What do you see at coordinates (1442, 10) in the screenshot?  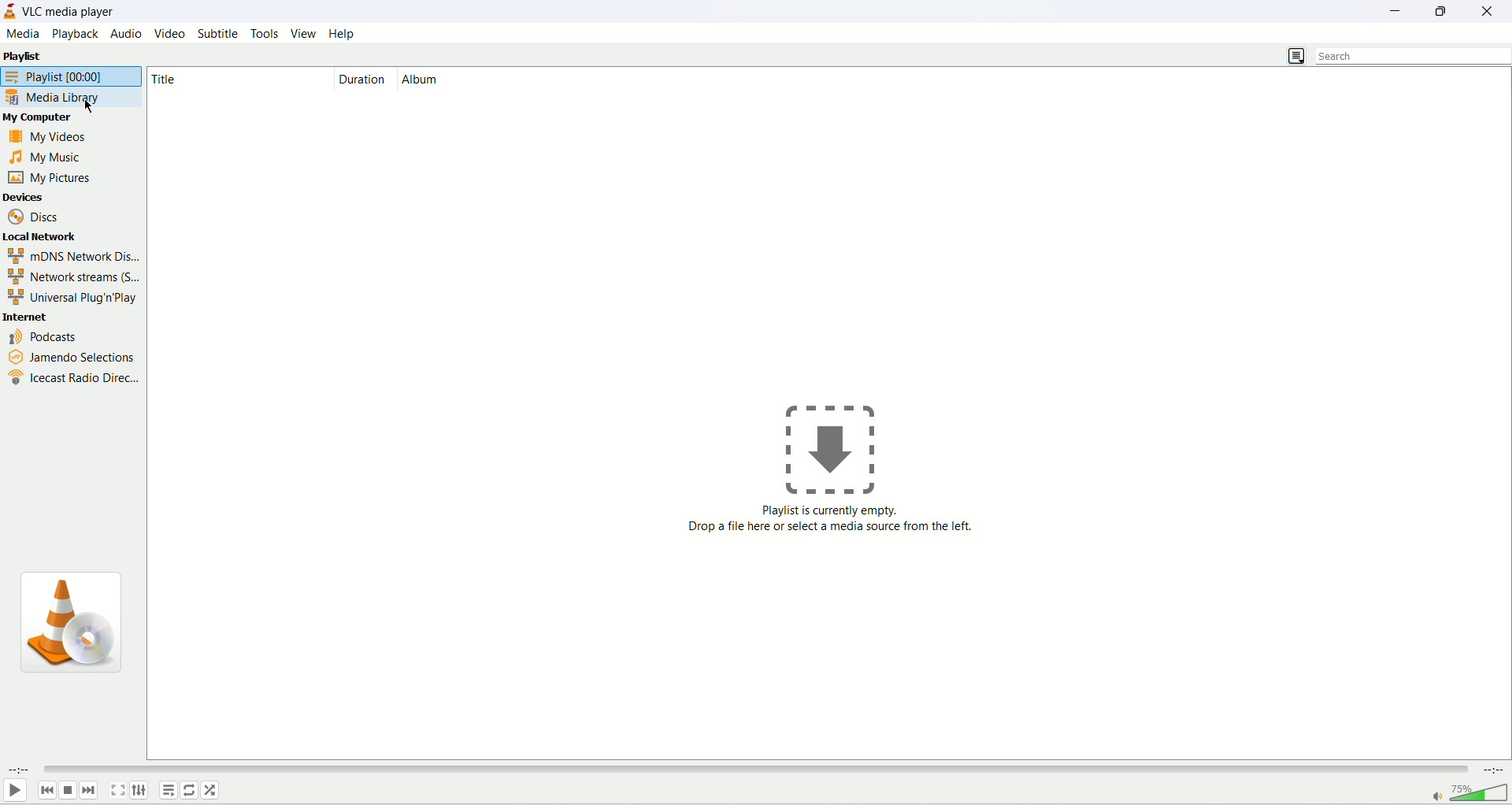 I see `maximize` at bounding box center [1442, 10].